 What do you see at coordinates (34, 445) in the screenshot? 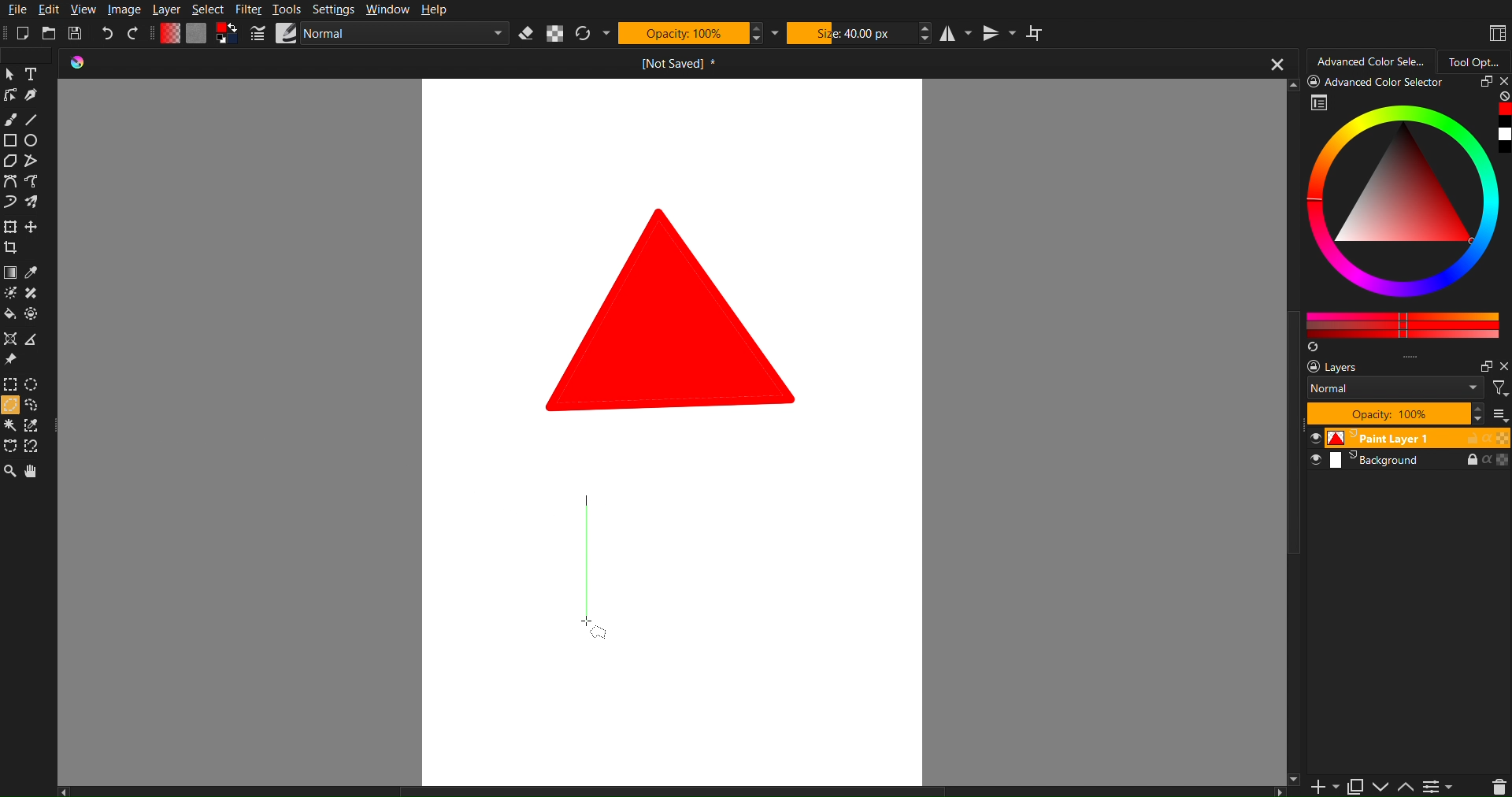
I see `Angle` at bounding box center [34, 445].